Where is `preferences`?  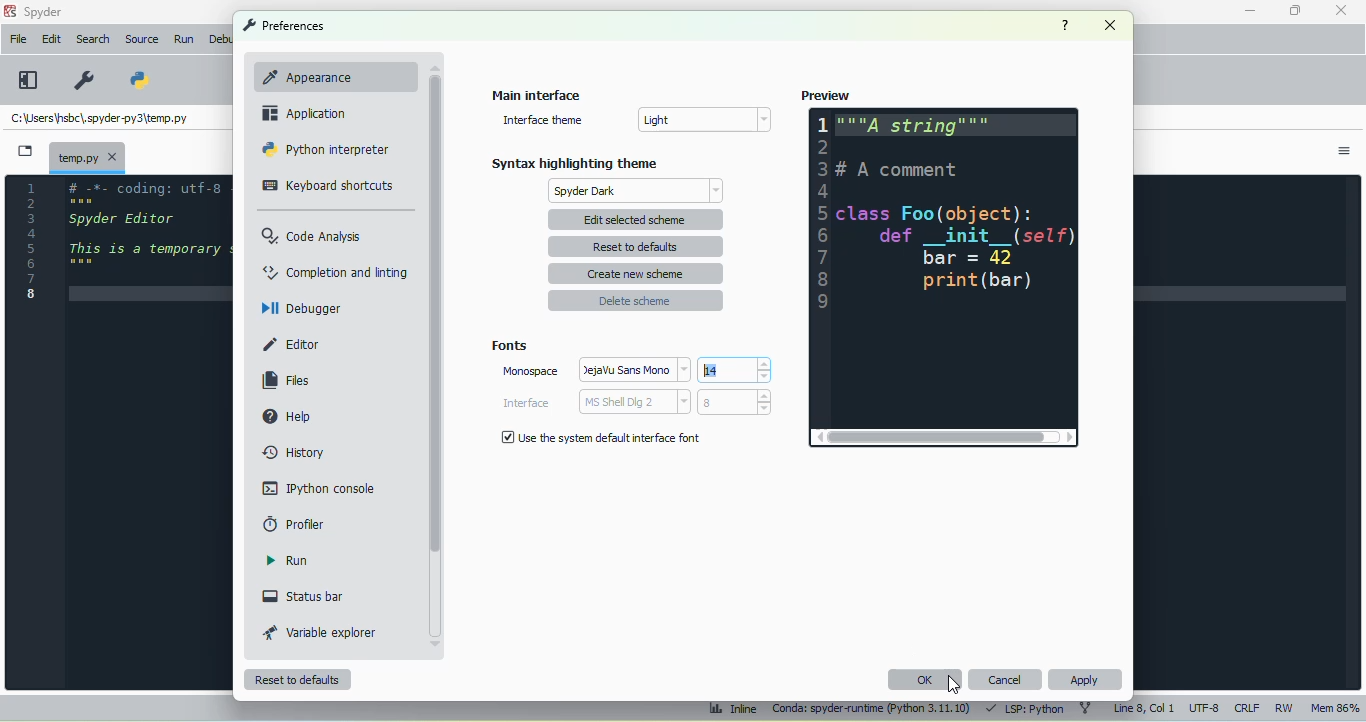
preferences is located at coordinates (283, 25).